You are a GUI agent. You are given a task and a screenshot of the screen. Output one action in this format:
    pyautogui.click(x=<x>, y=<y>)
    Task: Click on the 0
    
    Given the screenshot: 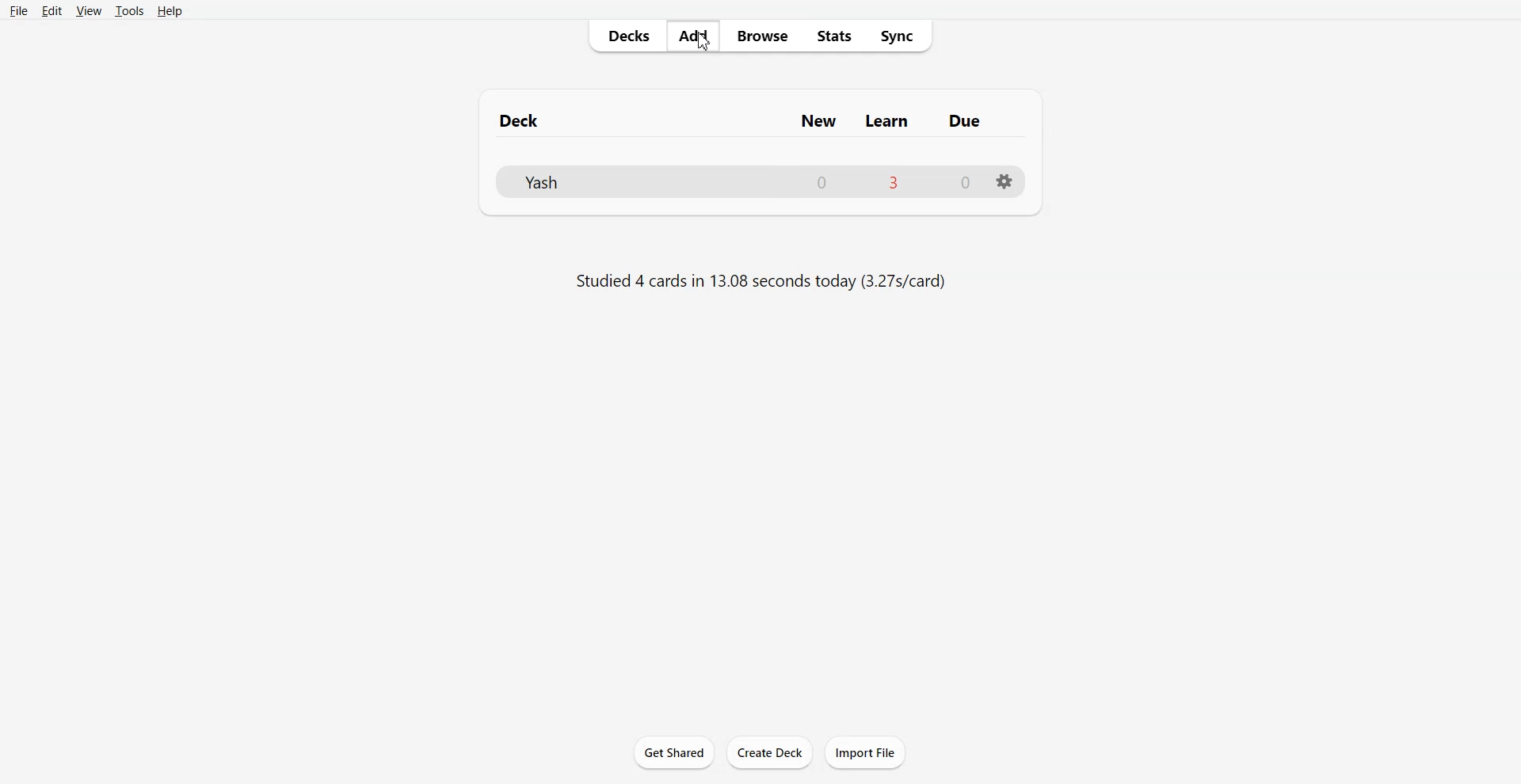 What is the action you would take?
    pyautogui.click(x=964, y=185)
    